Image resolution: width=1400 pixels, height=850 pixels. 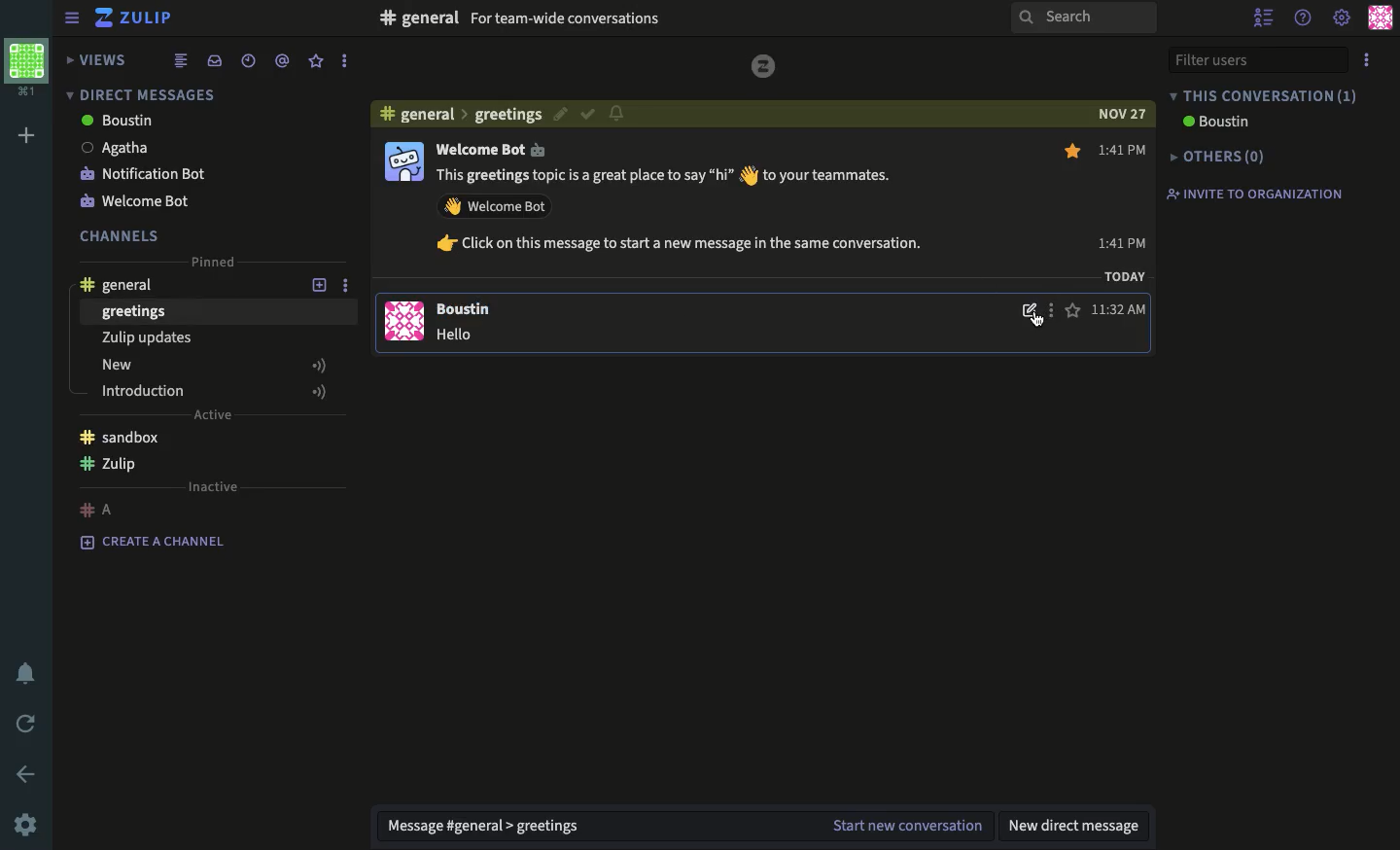 What do you see at coordinates (1343, 19) in the screenshot?
I see `settings` at bounding box center [1343, 19].